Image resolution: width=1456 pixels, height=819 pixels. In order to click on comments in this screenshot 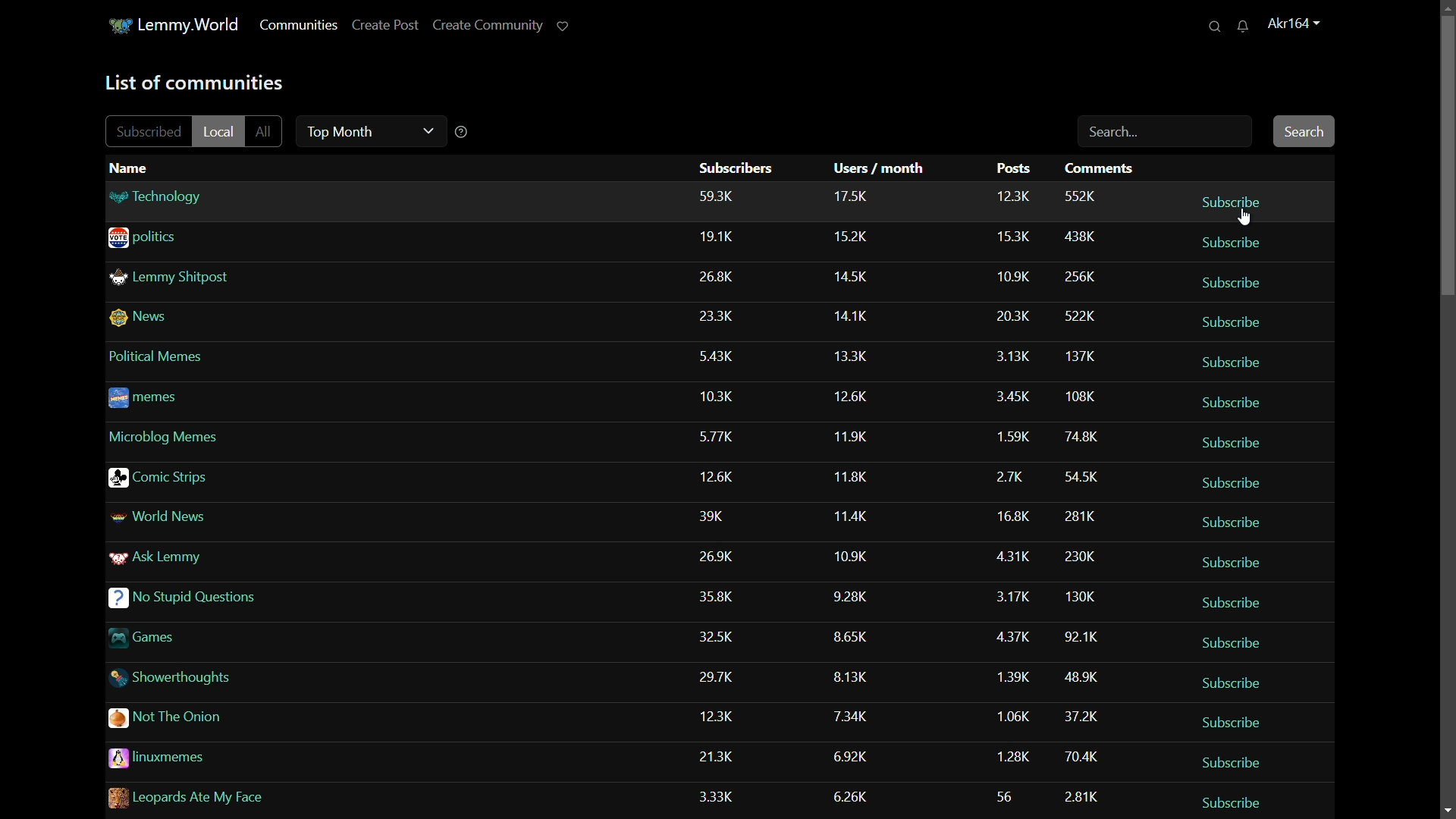, I will do `click(1085, 473)`.